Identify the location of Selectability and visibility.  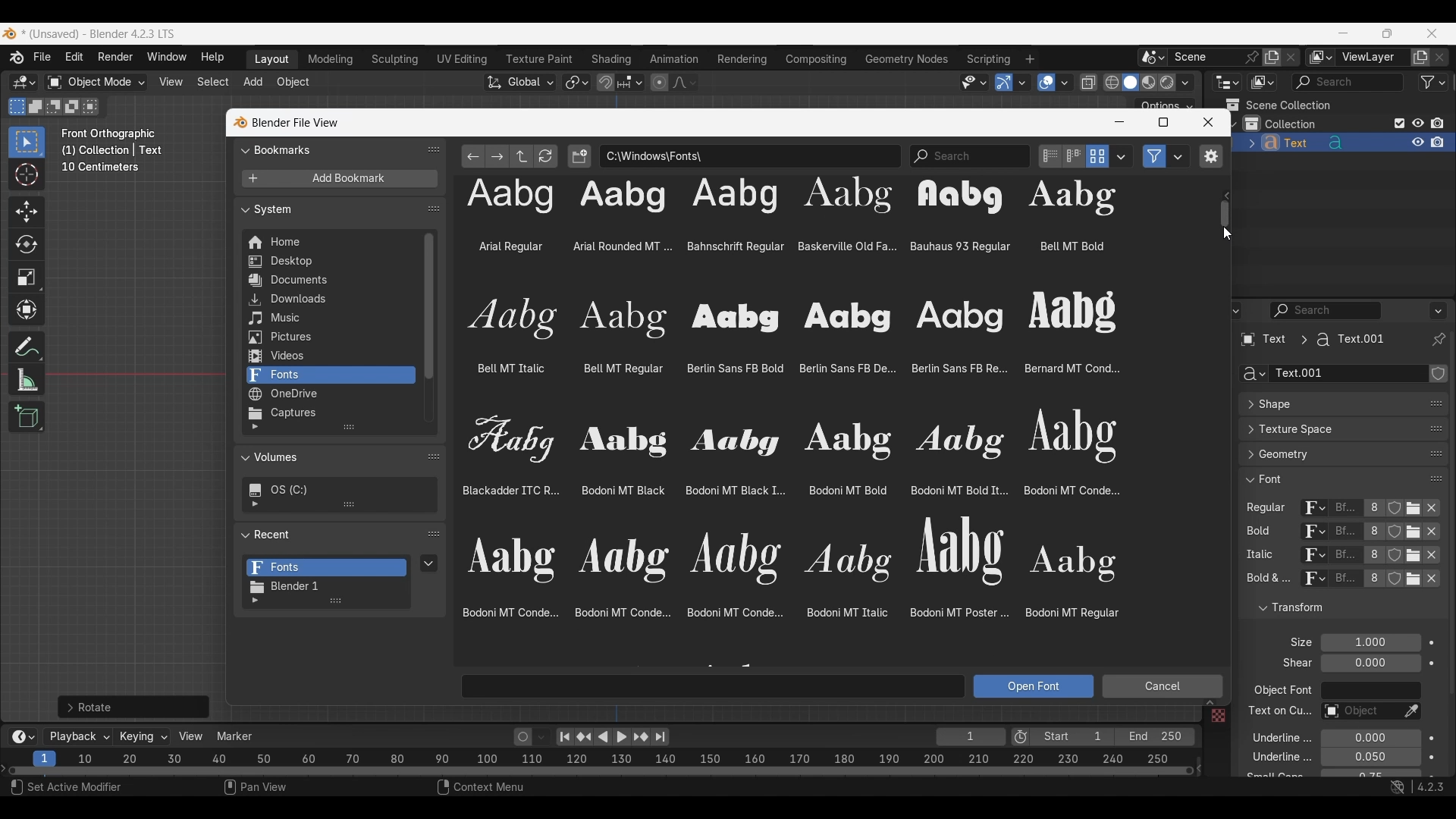
(974, 83).